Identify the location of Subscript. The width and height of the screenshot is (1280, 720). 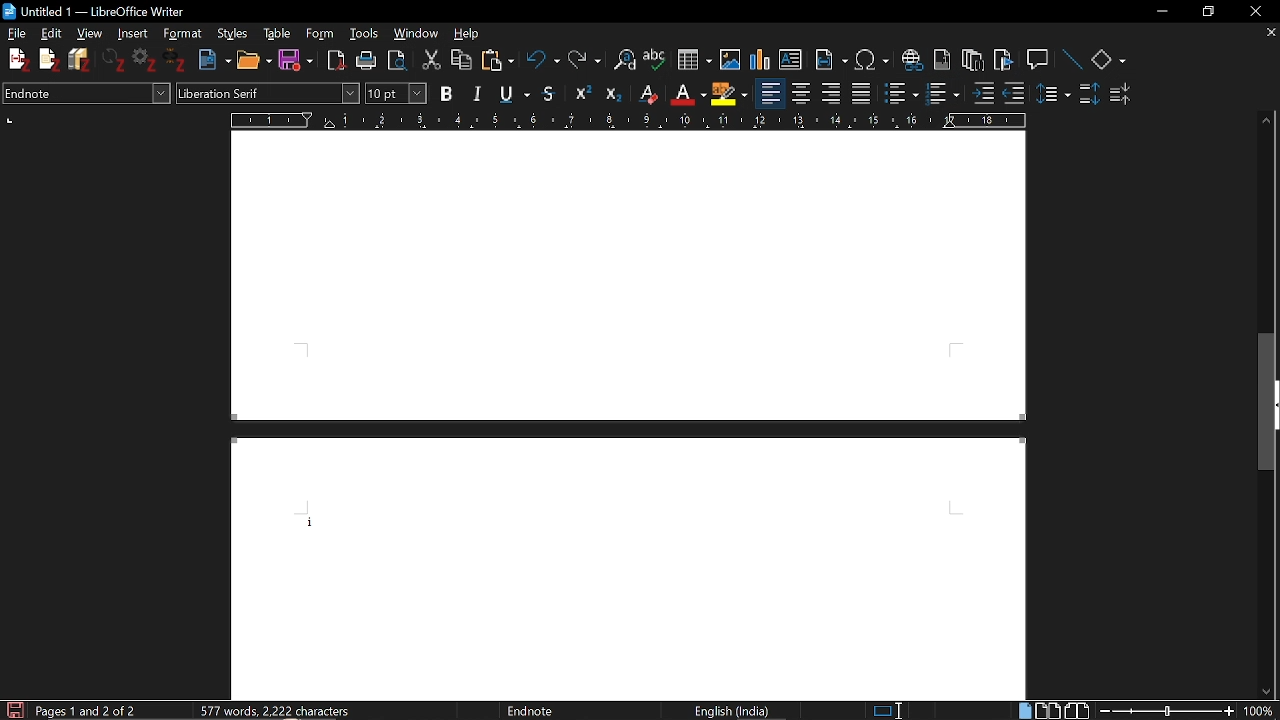
(614, 95).